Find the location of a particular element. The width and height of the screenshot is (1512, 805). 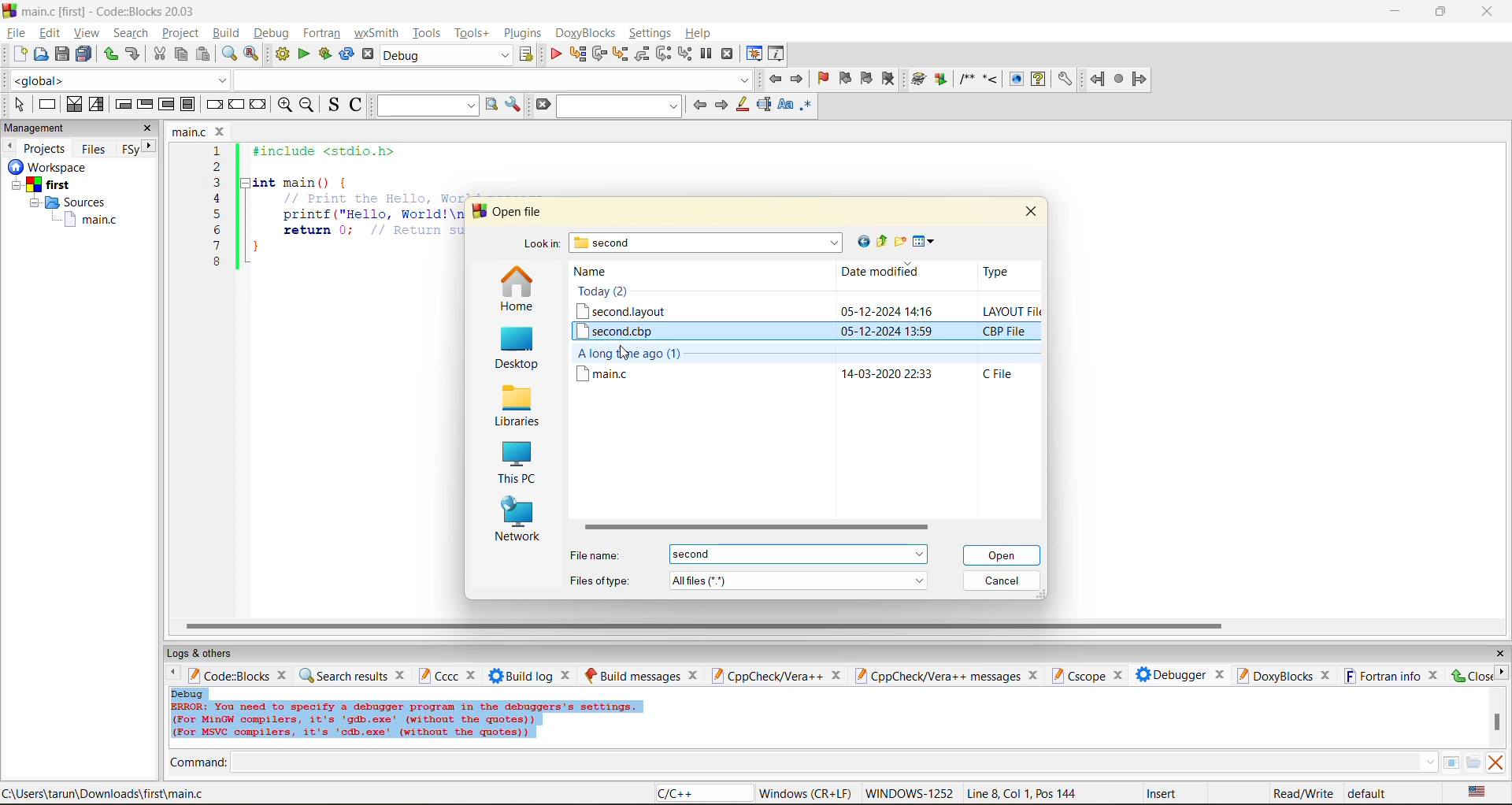

previous is located at coordinates (9, 146).